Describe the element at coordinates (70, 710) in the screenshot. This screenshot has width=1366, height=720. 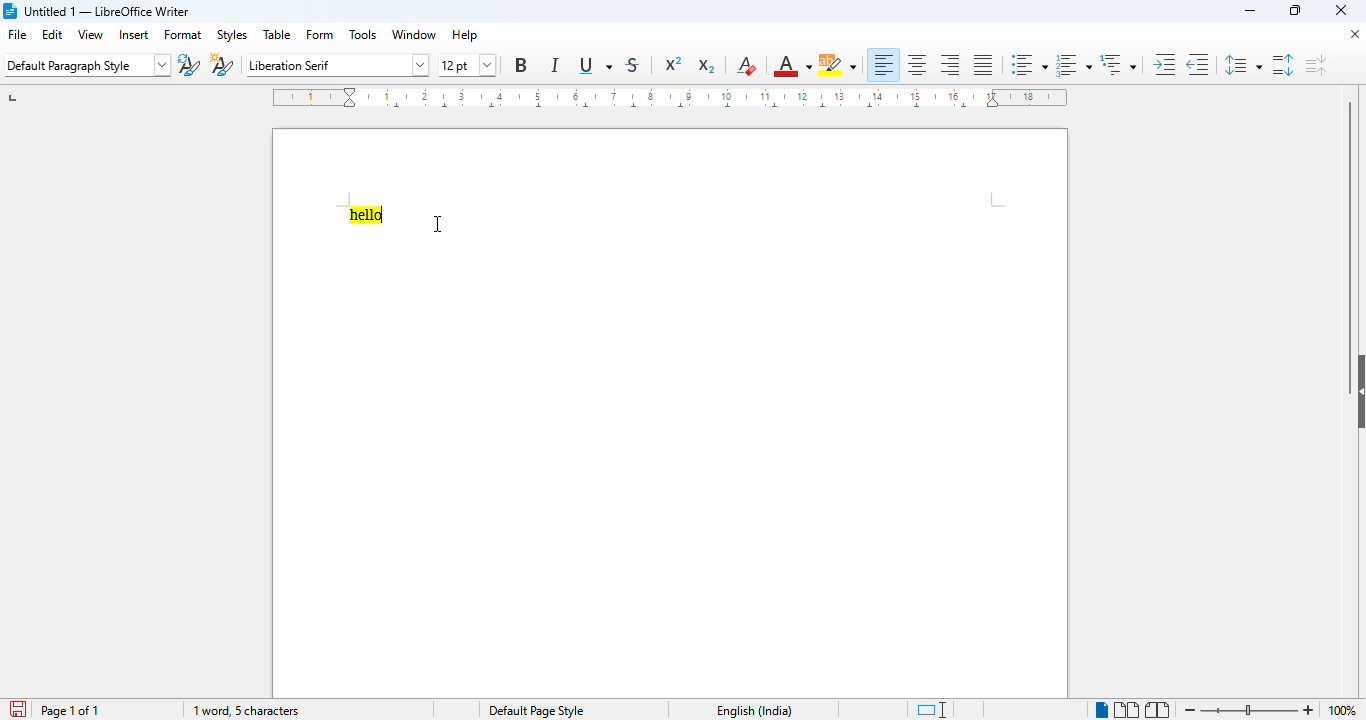
I see `page 1 of 1` at that location.